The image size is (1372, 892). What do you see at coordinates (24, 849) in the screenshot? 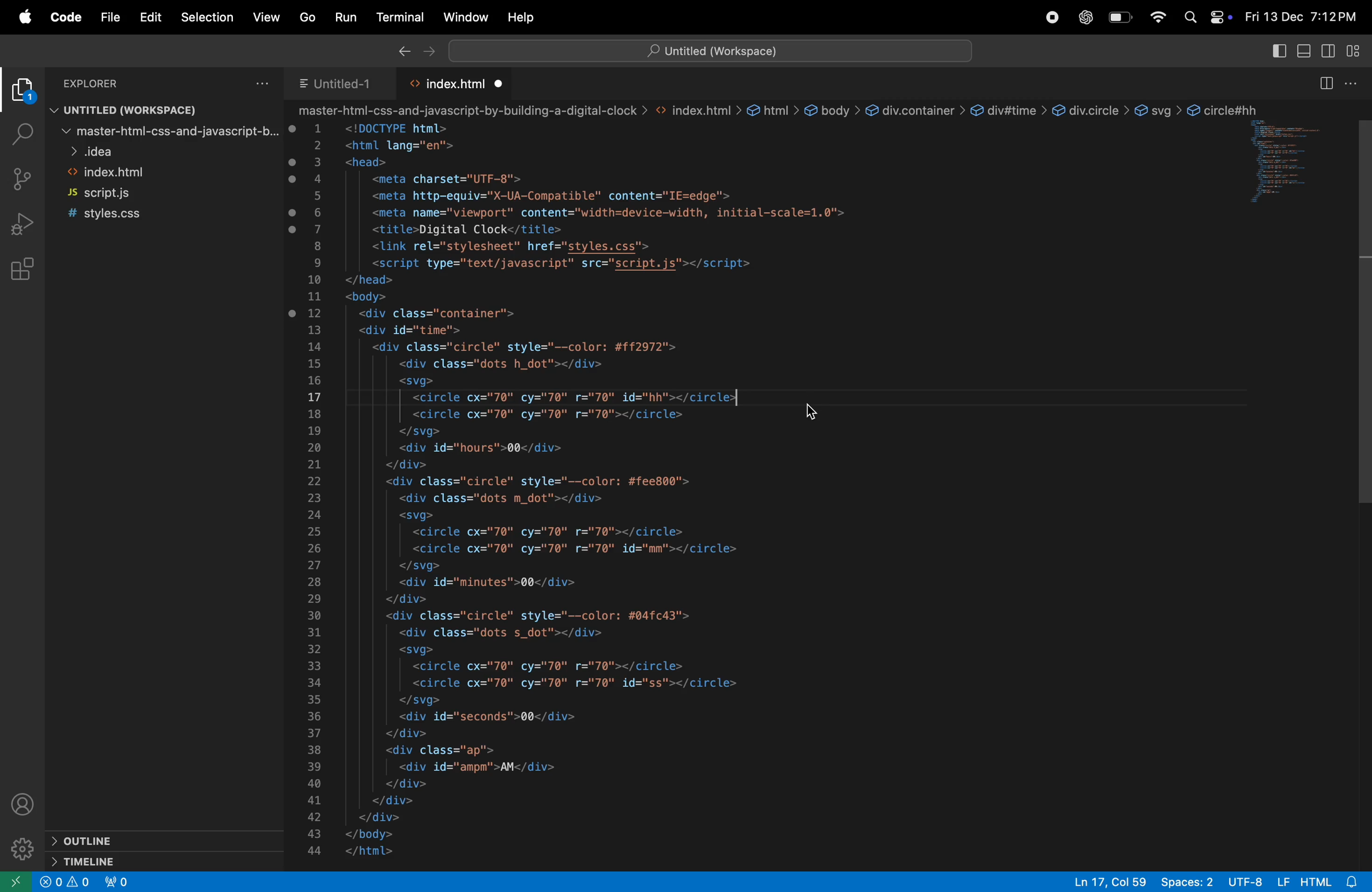
I see `settings` at bounding box center [24, 849].